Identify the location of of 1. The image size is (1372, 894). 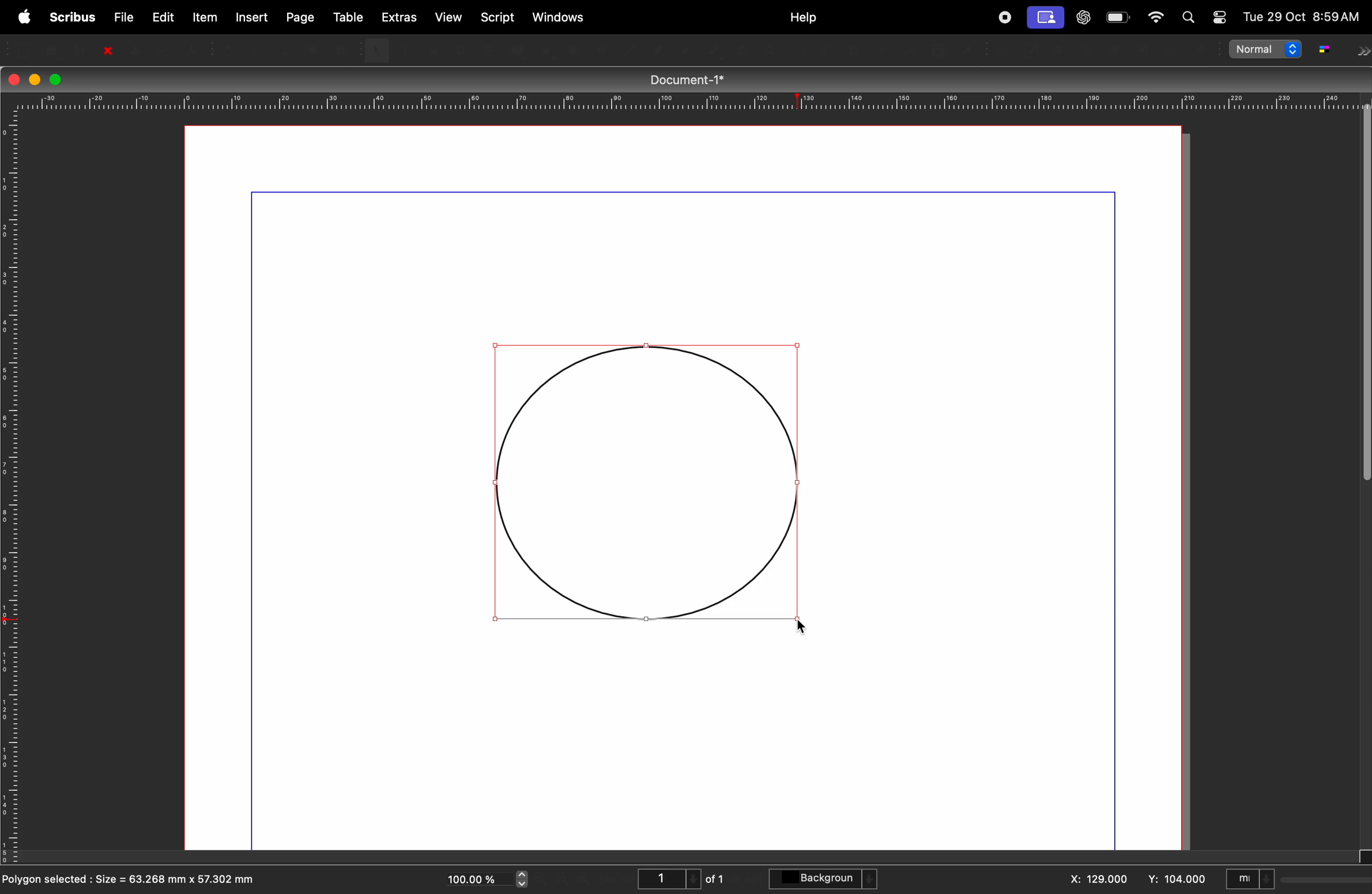
(717, 878).